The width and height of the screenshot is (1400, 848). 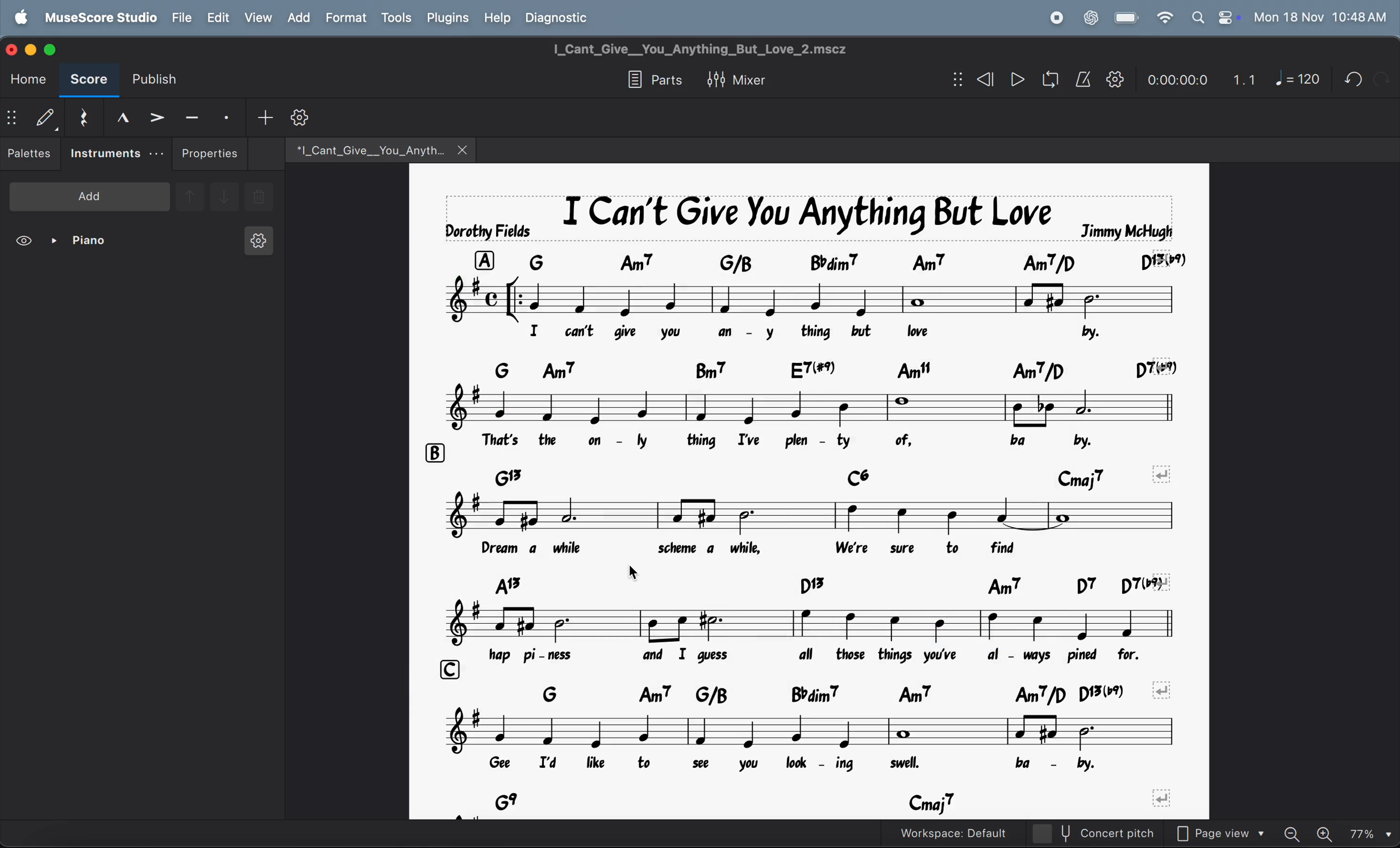 I want to click on chord symbols, so click(x=837, y=802).